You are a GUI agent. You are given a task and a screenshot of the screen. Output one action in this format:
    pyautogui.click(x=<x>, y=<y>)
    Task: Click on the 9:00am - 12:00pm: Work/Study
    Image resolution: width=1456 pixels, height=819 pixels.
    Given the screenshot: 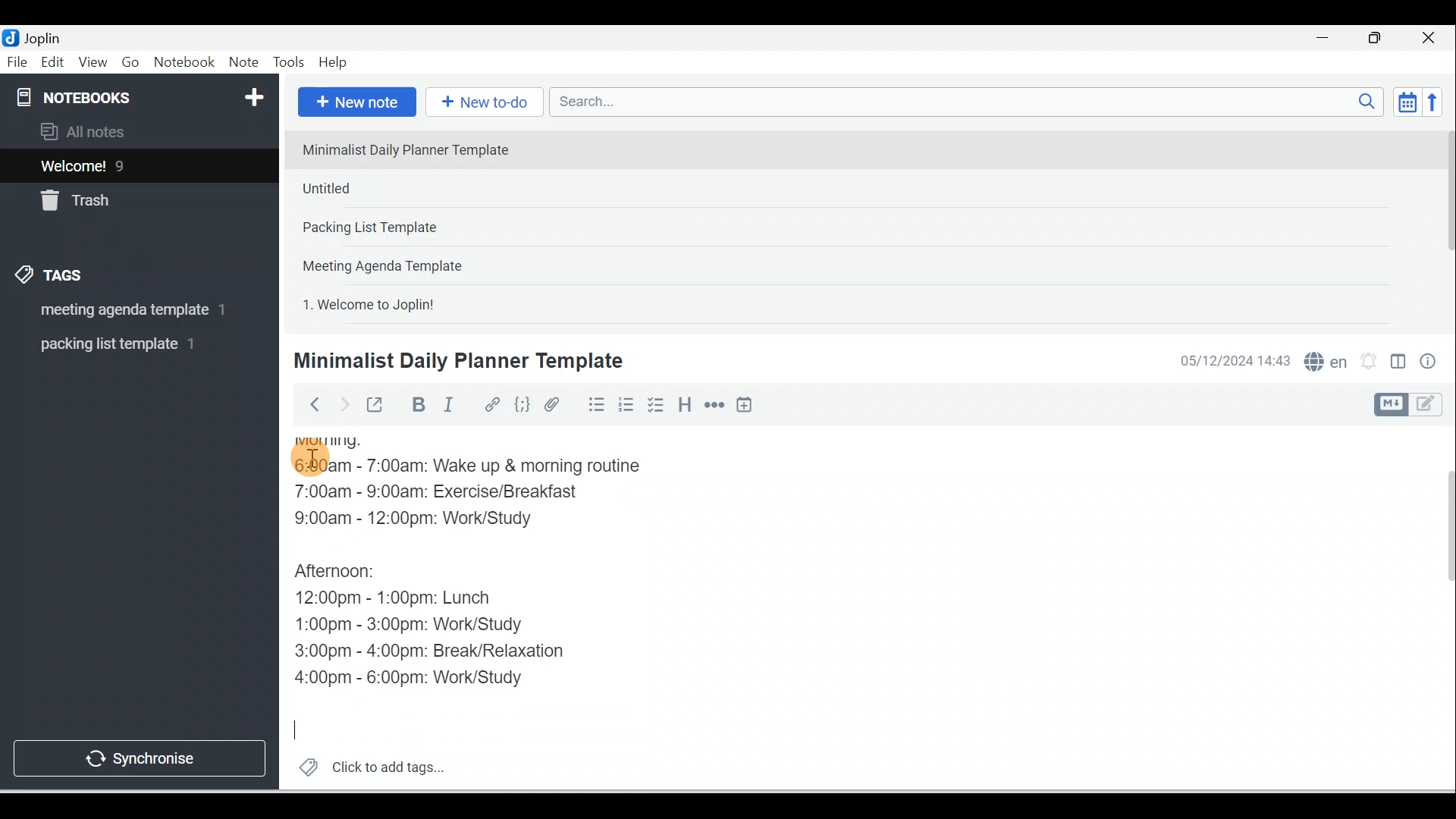 What is the action you would take?
    pyautogui.click(x=431, y=520)
    